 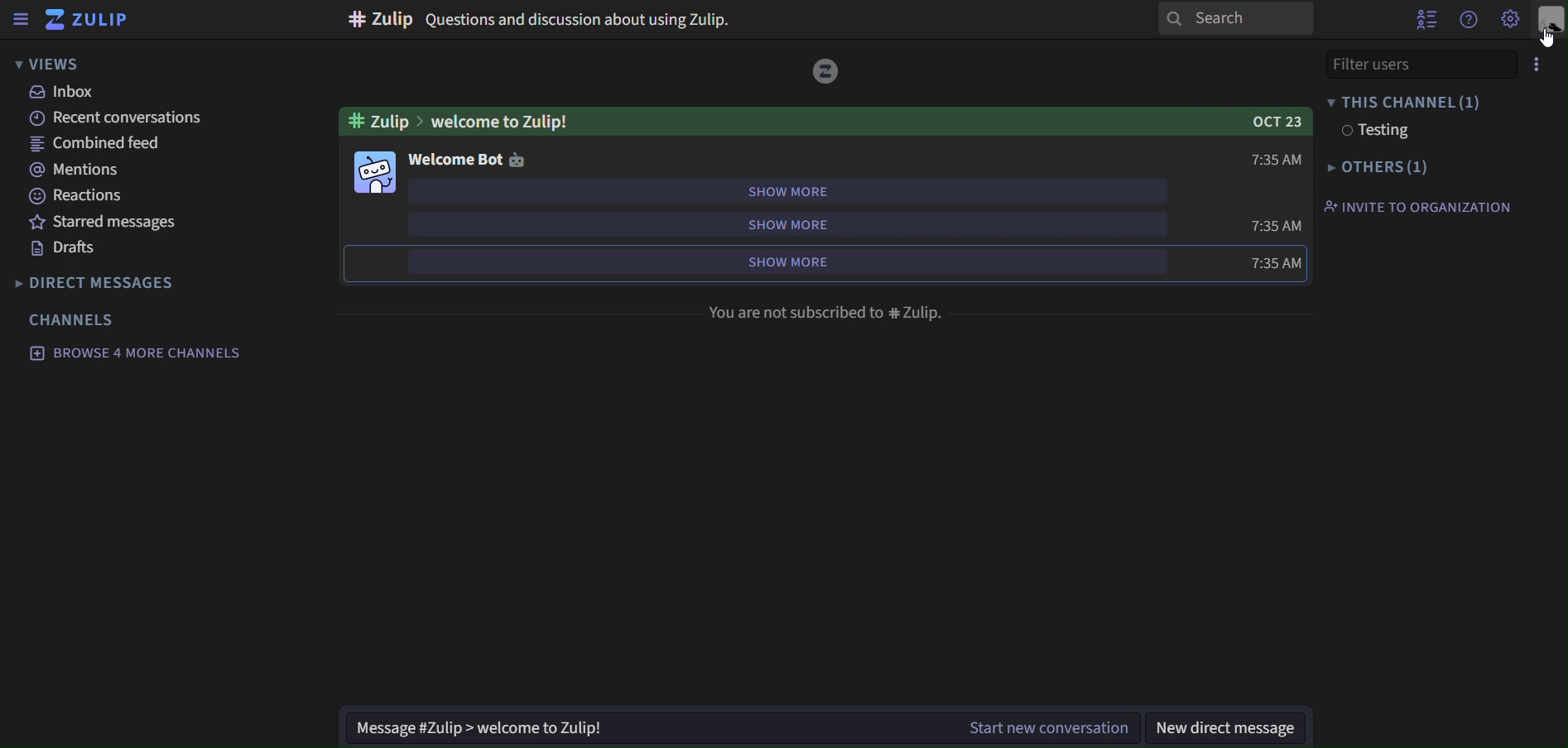 What do you see at coordinates (1468, 23) in the screenshot?
I see `get help` at bounding box center [1468, 23].